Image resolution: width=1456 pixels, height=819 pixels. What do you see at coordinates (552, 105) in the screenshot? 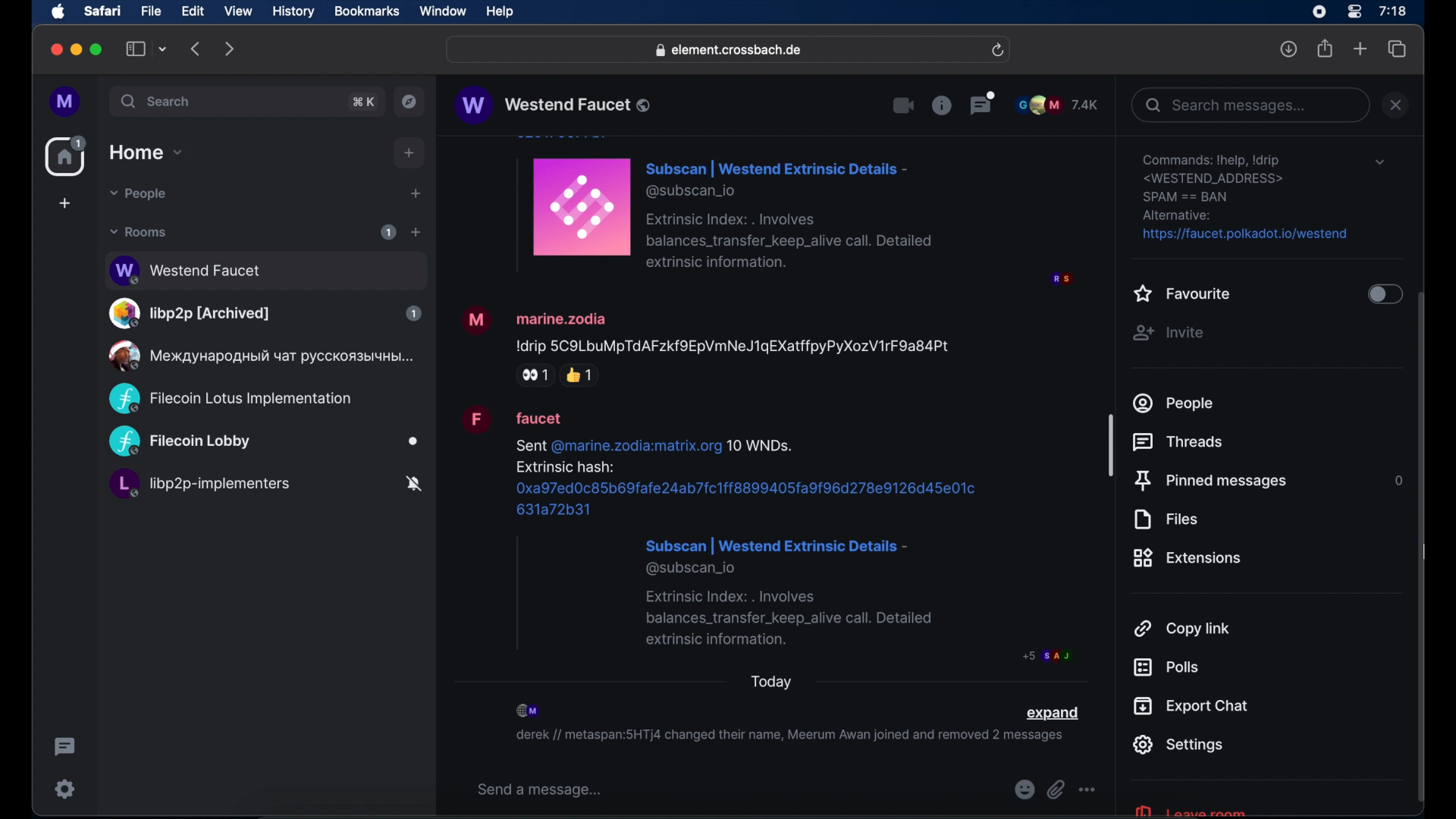
I see `room name` at bounding box center [552, 105].